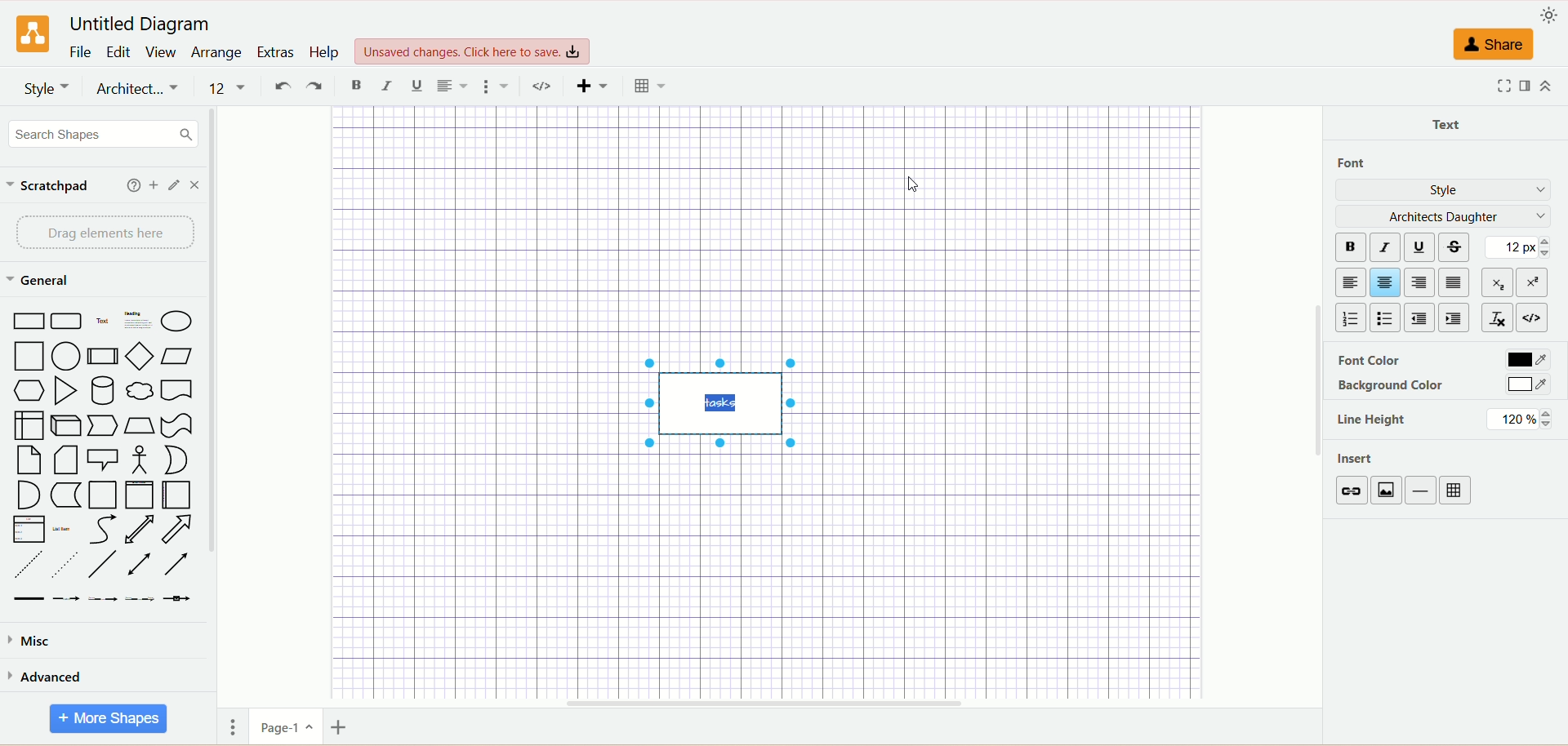 The width and height of the screenshot is (1568, 746). Describe the element at coordinates (1352, 491) in the screenshot. I see `link` at that location.